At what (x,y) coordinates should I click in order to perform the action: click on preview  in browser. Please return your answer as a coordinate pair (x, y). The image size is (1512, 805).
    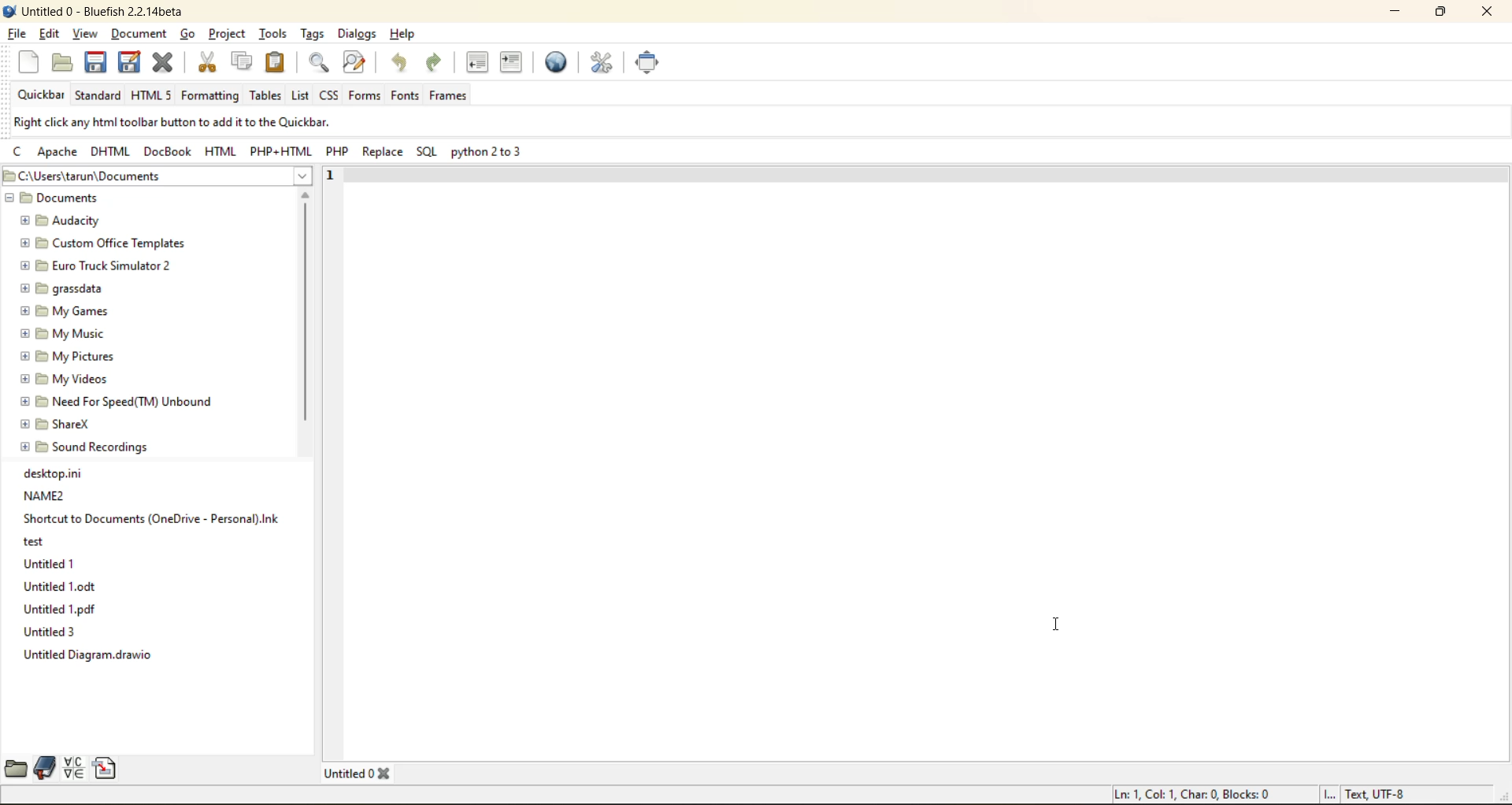
    Looking at the image, I should click on (561, 62).